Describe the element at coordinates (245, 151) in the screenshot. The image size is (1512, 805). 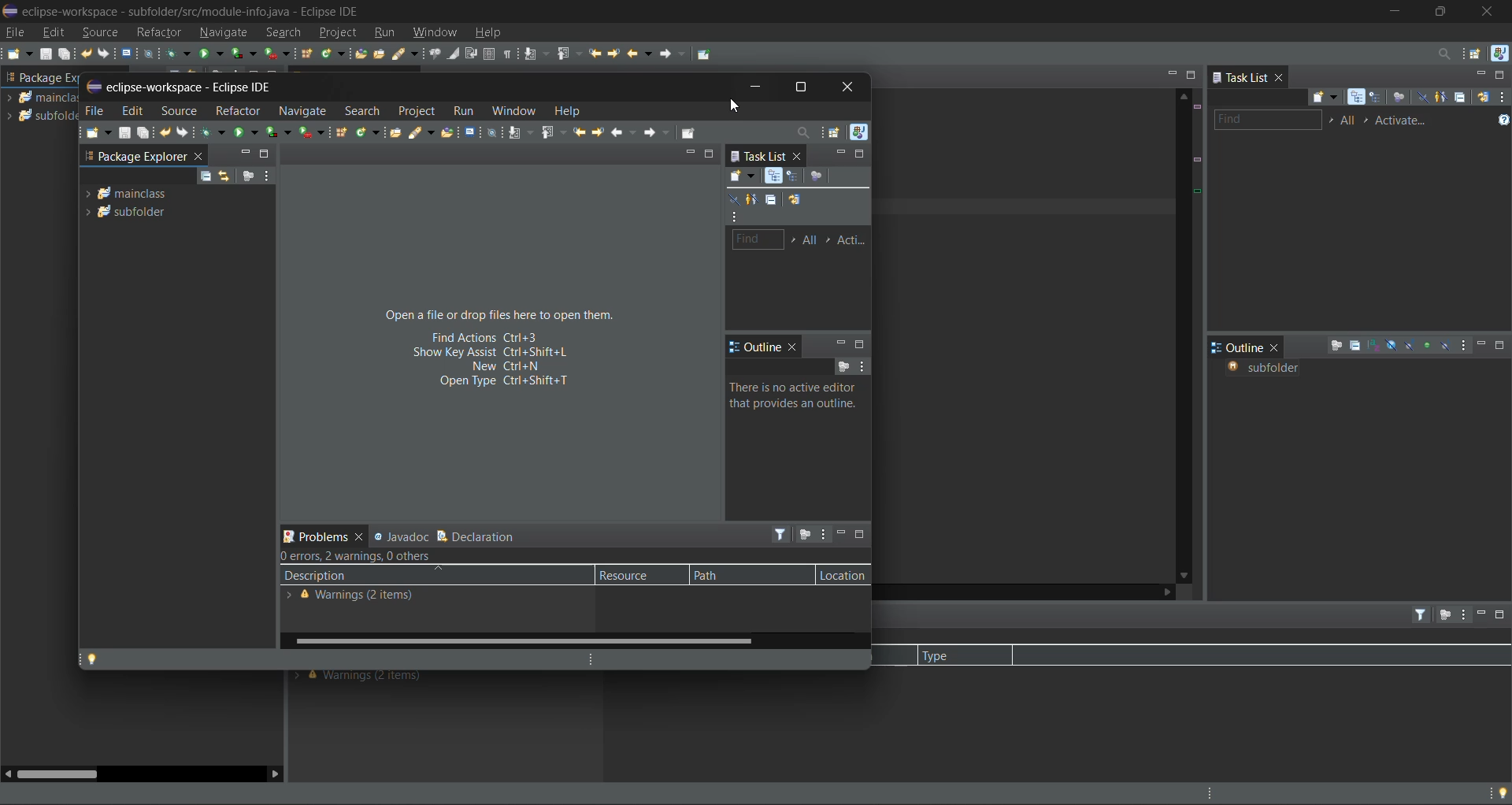
I see `minimize` at that location.